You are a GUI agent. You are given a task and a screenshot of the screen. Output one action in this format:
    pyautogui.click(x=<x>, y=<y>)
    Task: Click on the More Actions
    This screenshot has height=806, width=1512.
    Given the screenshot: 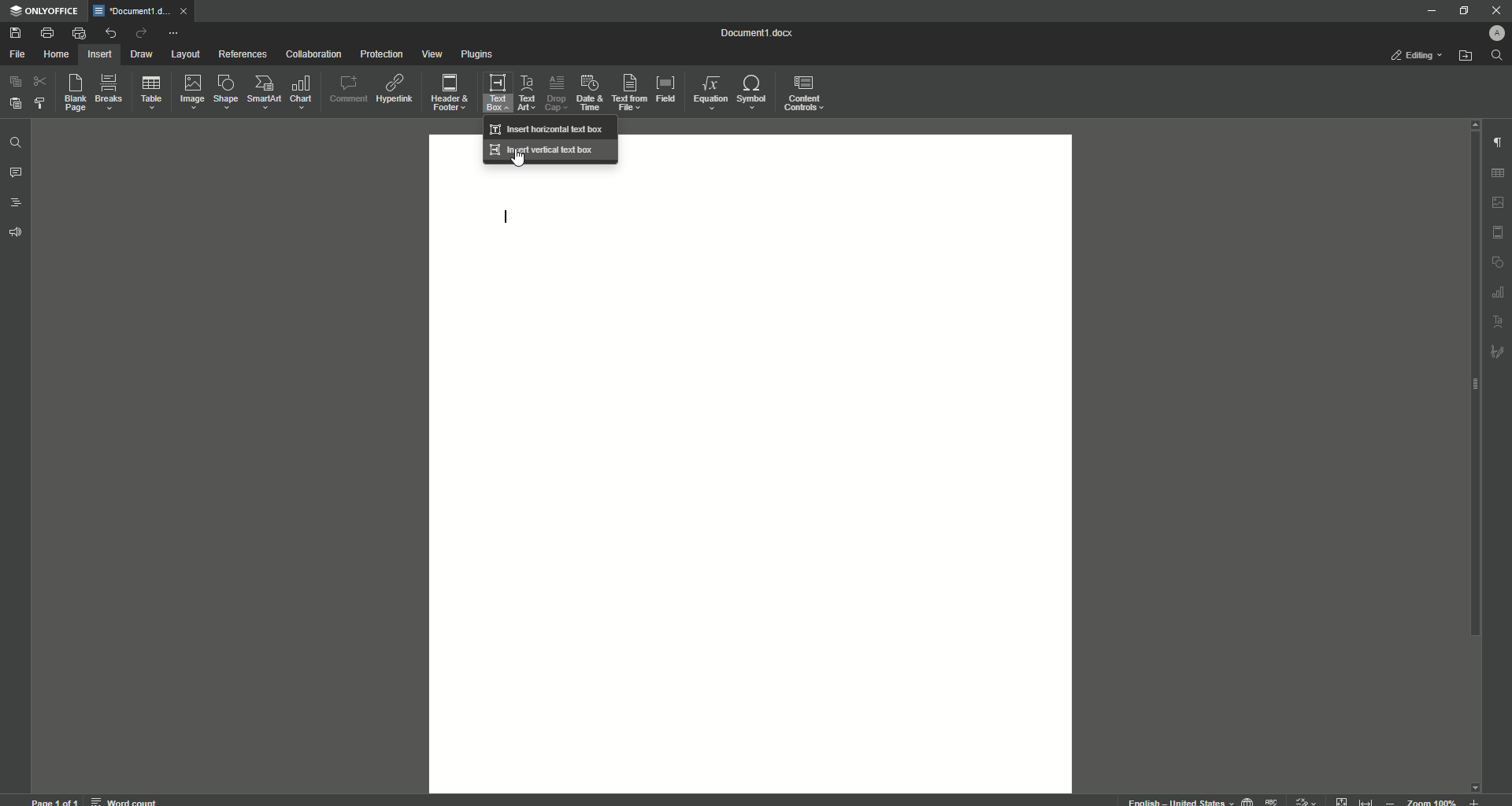 What is the action you would take?
    pyautogui.click(x=172, y=35)
    